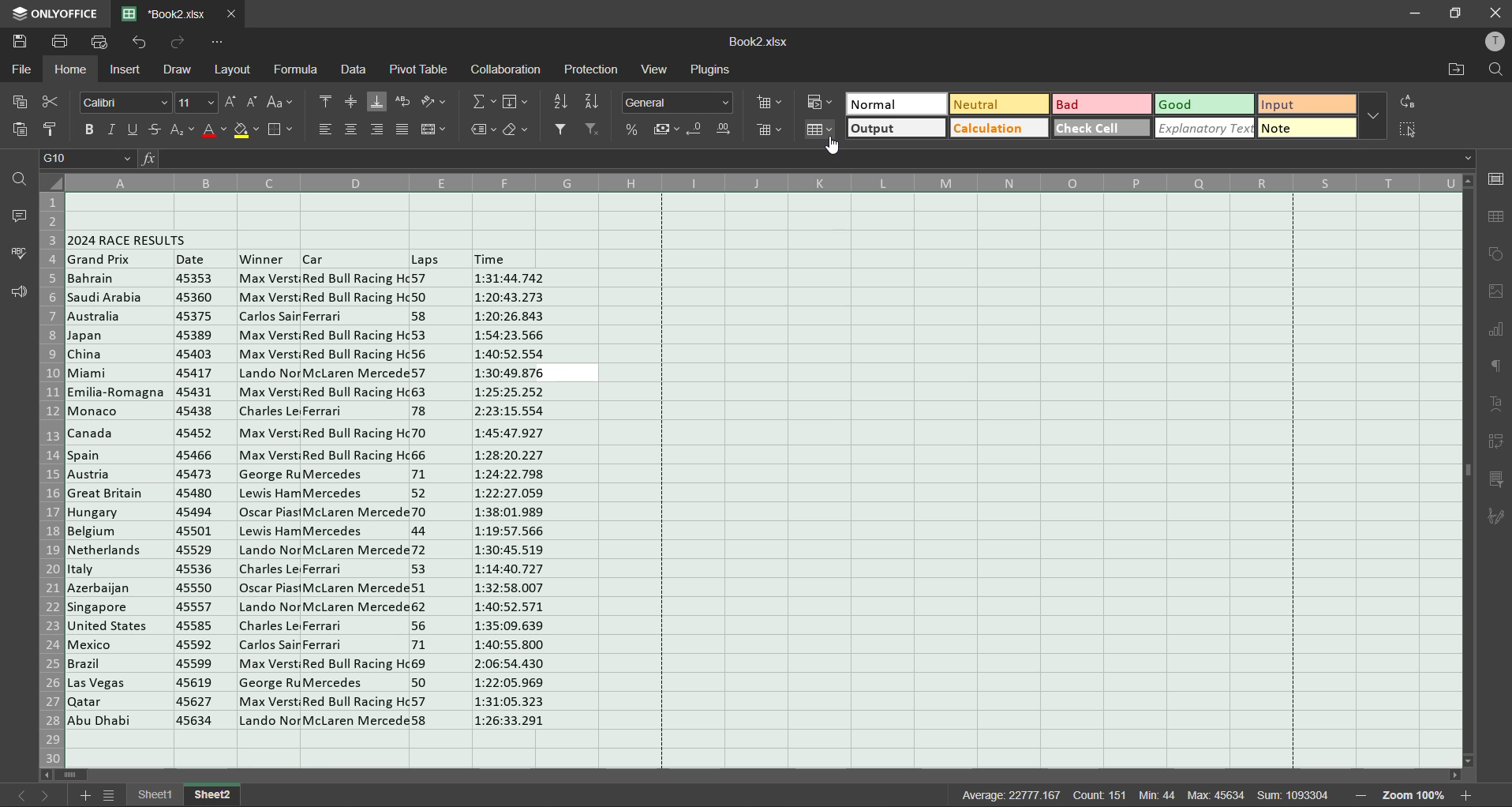  Describe the element at coordinates (378, 130) in the screenshot. I see `align right` at that location.